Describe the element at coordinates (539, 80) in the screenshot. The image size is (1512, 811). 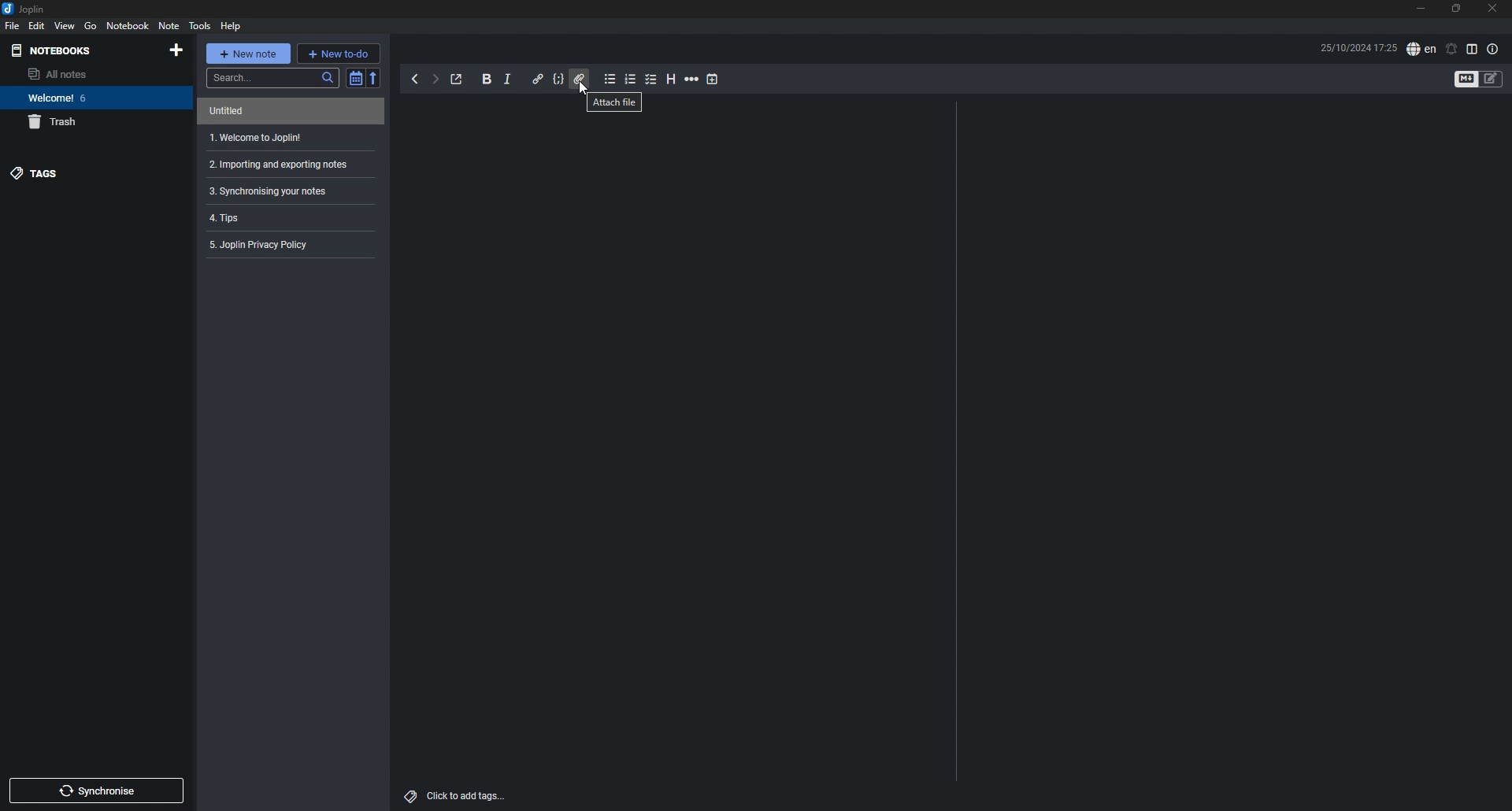
I see `add hyperlink` at that location.